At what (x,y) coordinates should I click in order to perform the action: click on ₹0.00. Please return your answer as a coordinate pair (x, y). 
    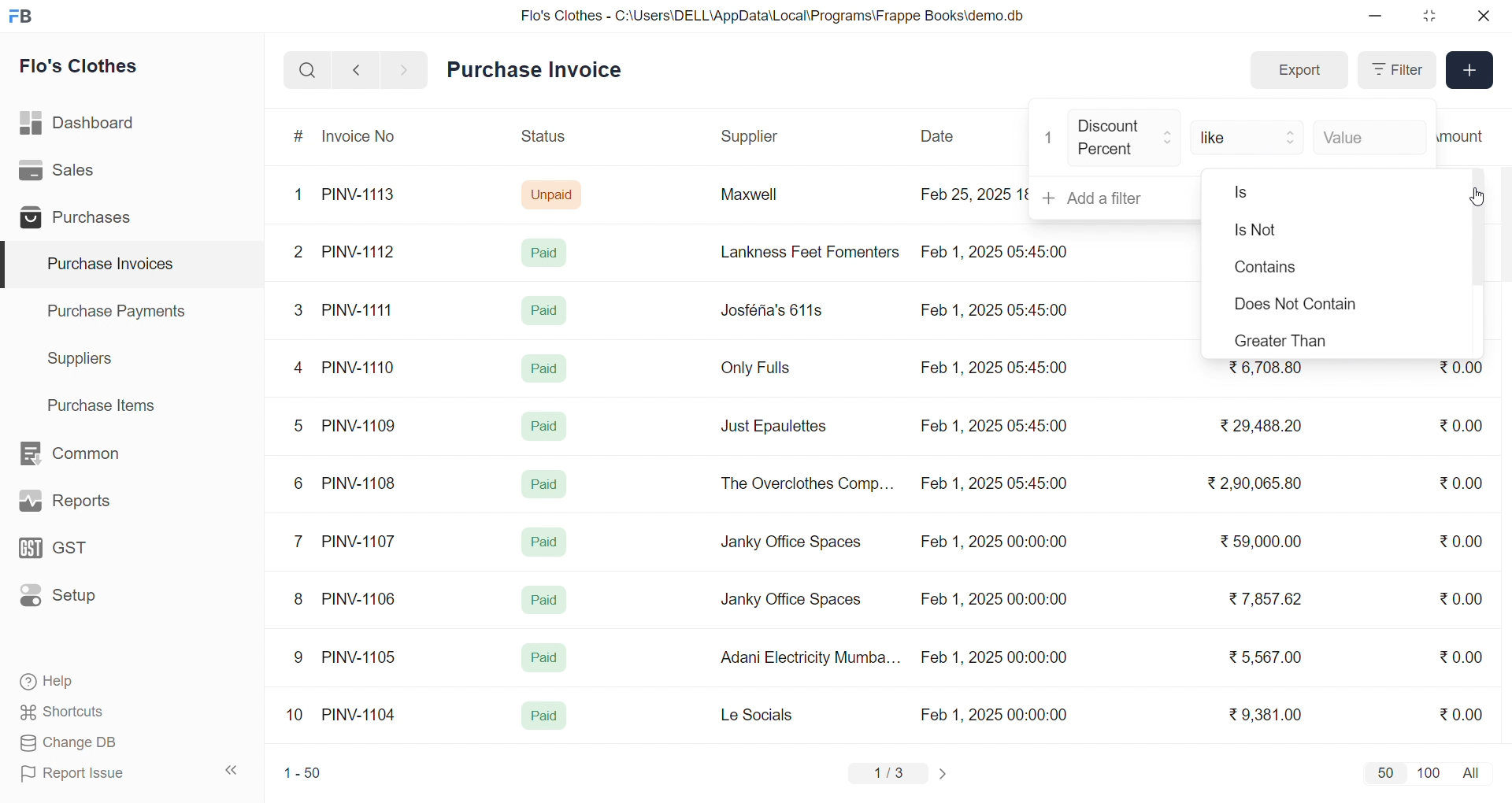
    Looking at the image, I should click on (1460, 485).